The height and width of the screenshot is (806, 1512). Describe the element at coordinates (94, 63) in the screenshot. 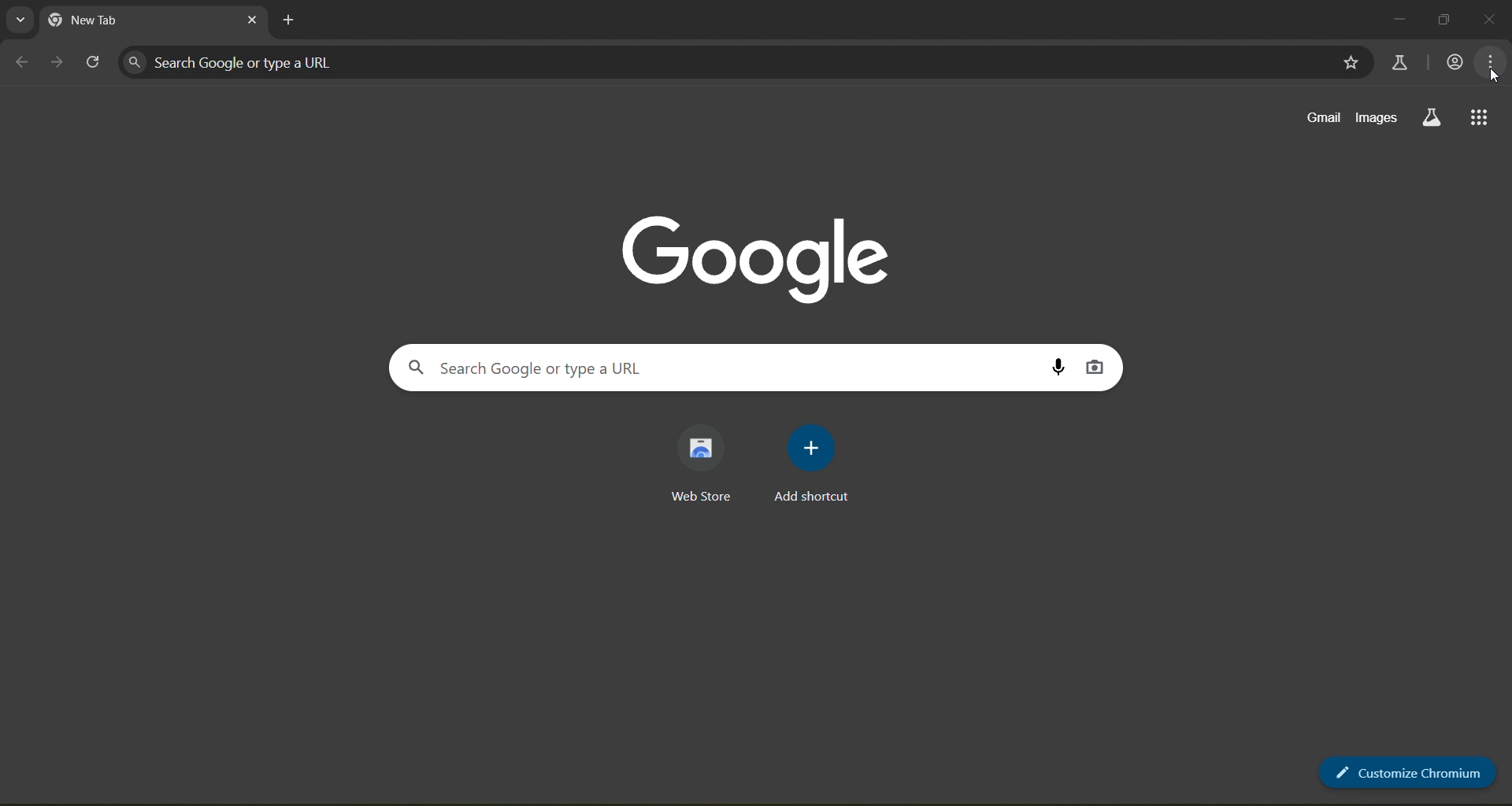

I see `reload page` at that location.